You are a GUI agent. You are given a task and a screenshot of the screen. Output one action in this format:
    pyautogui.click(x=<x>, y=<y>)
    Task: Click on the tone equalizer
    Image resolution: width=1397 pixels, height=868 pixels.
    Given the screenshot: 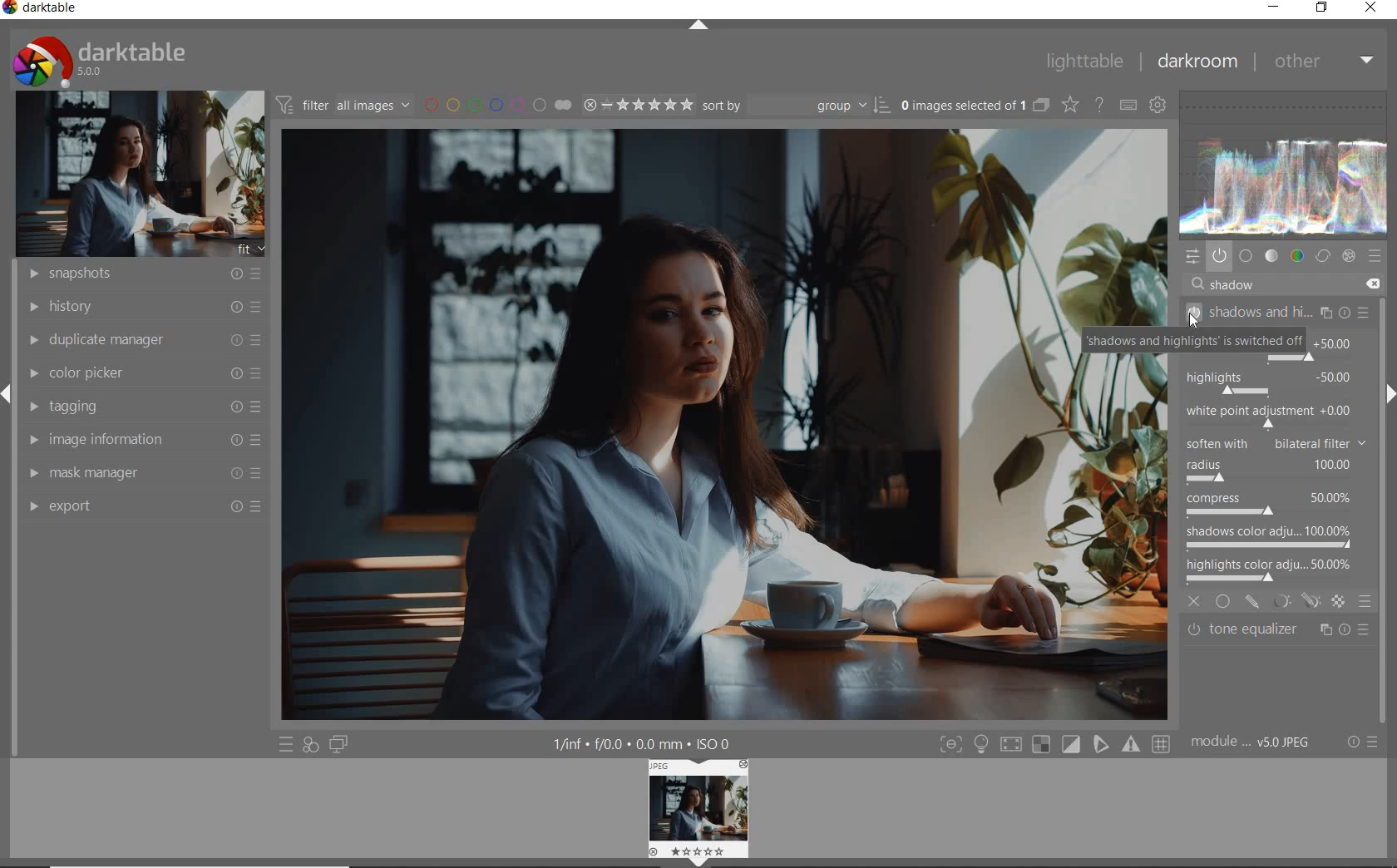 What is the action you would take?
    pyautogui.click(x=1278, y=633)
    